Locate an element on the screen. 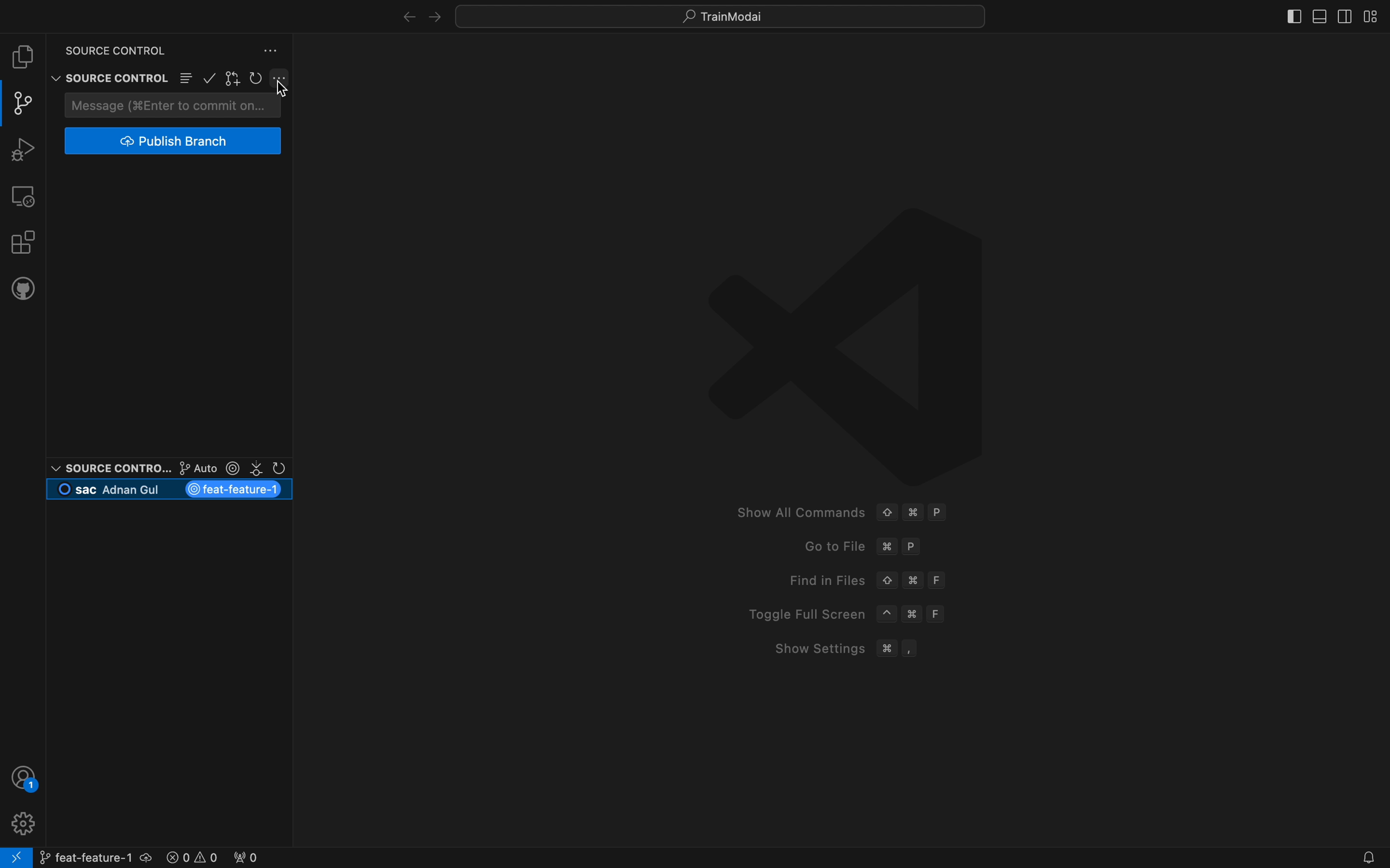  command is located at coordinates (887, 547).